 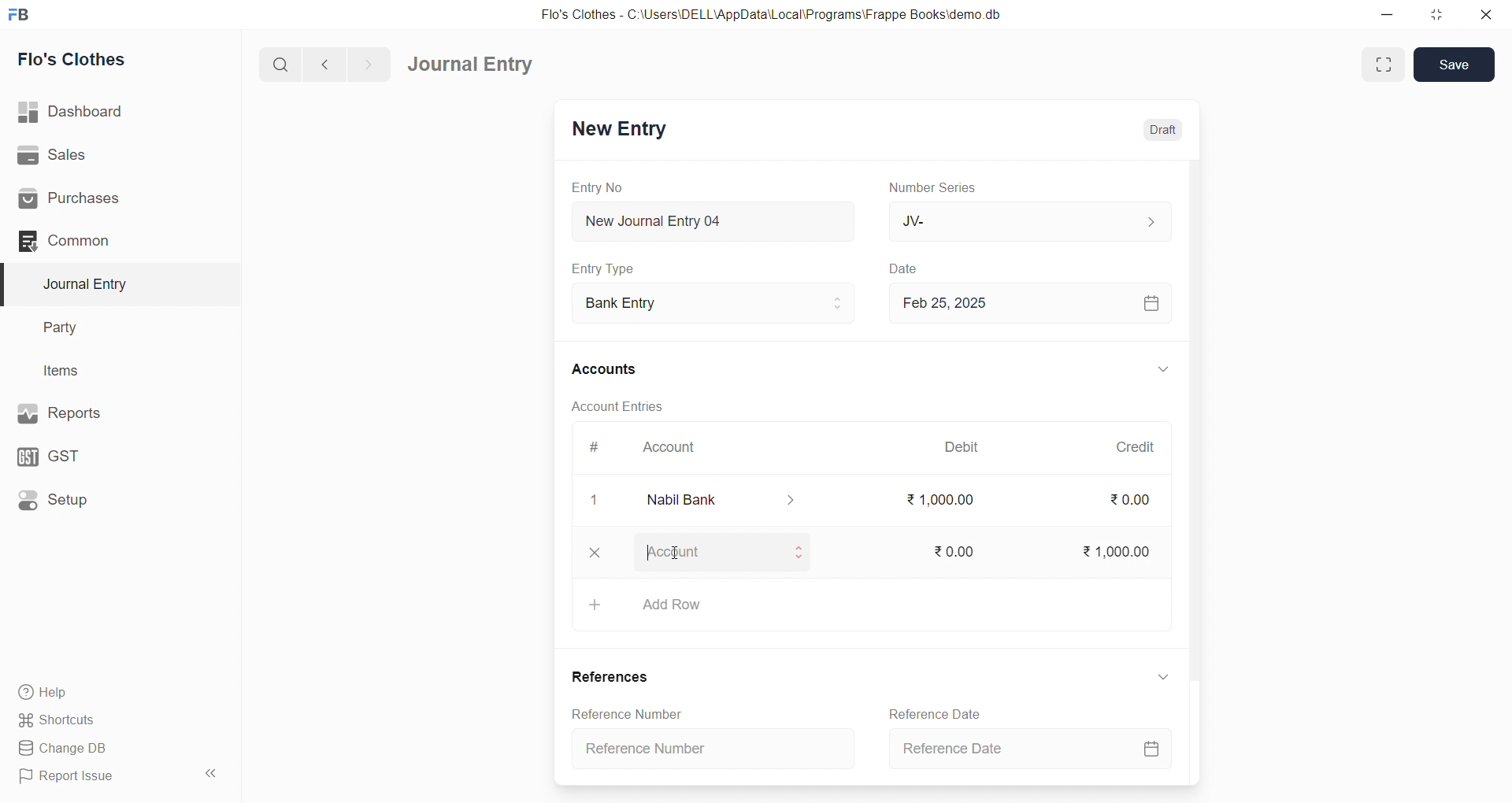 I want to click on Change DB, so click(x=113, y=749).